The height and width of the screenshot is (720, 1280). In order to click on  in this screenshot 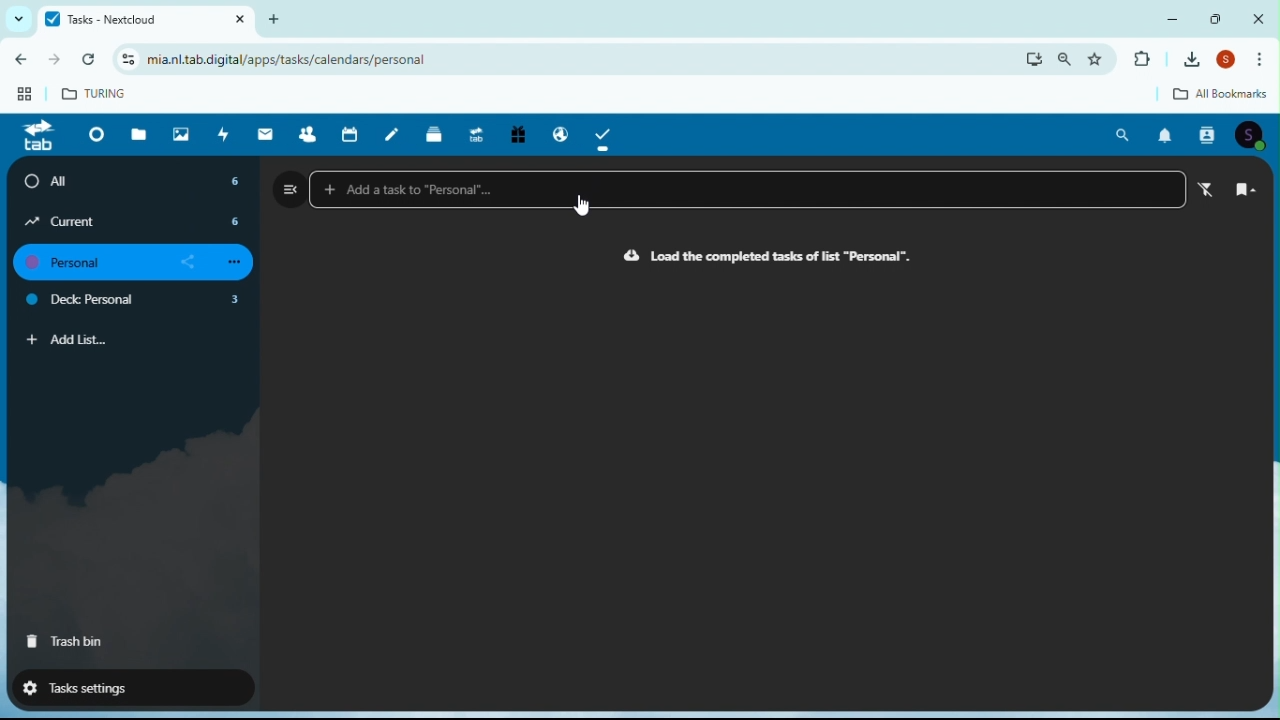, I will do `click(37, 137)`.